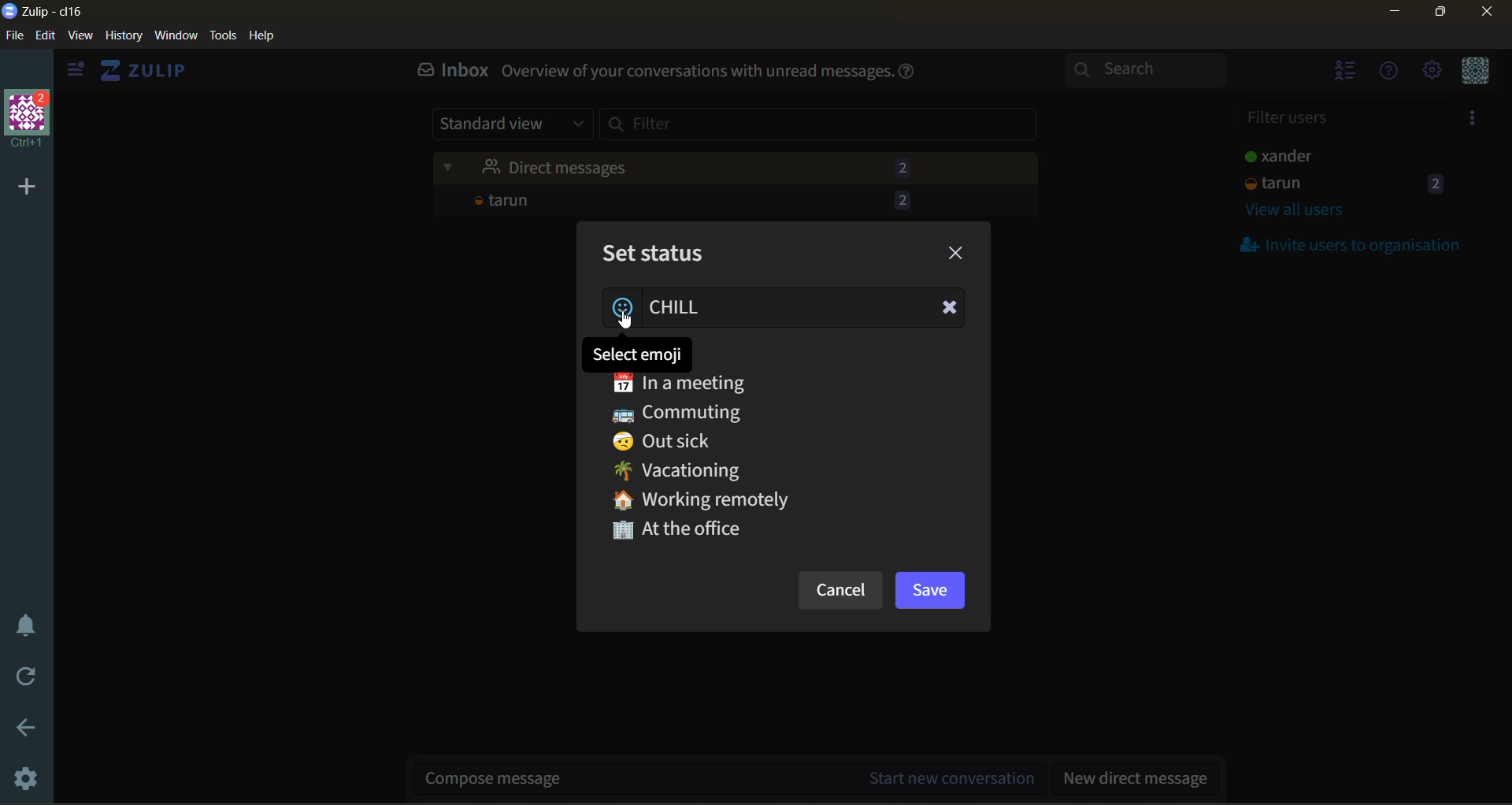 The width and height of the screenshot is (1512, 805). Describe the element at coordinates (680, 440) in the screenshot. I see `Out sick` at that location.